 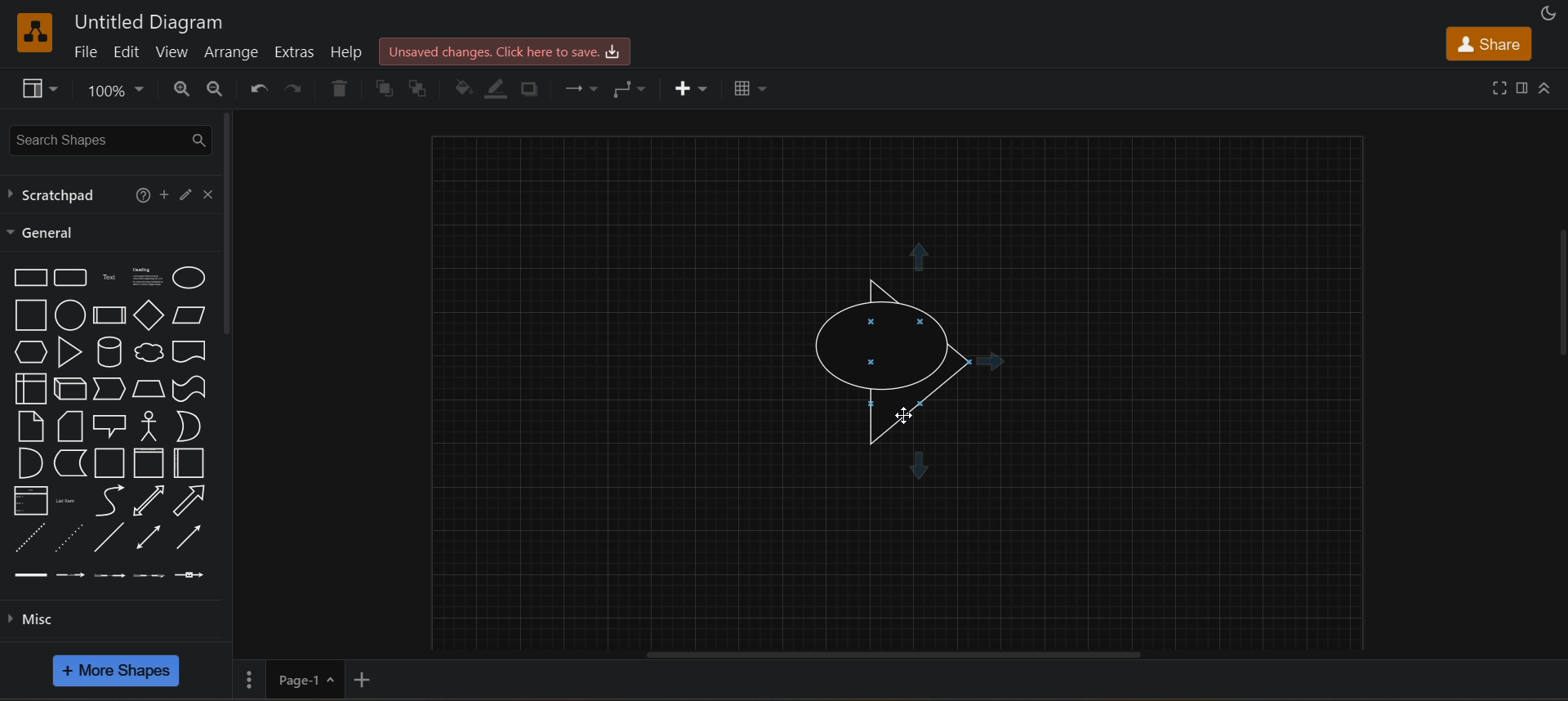 I want to click on connector with label, so click(x=69, y=574).